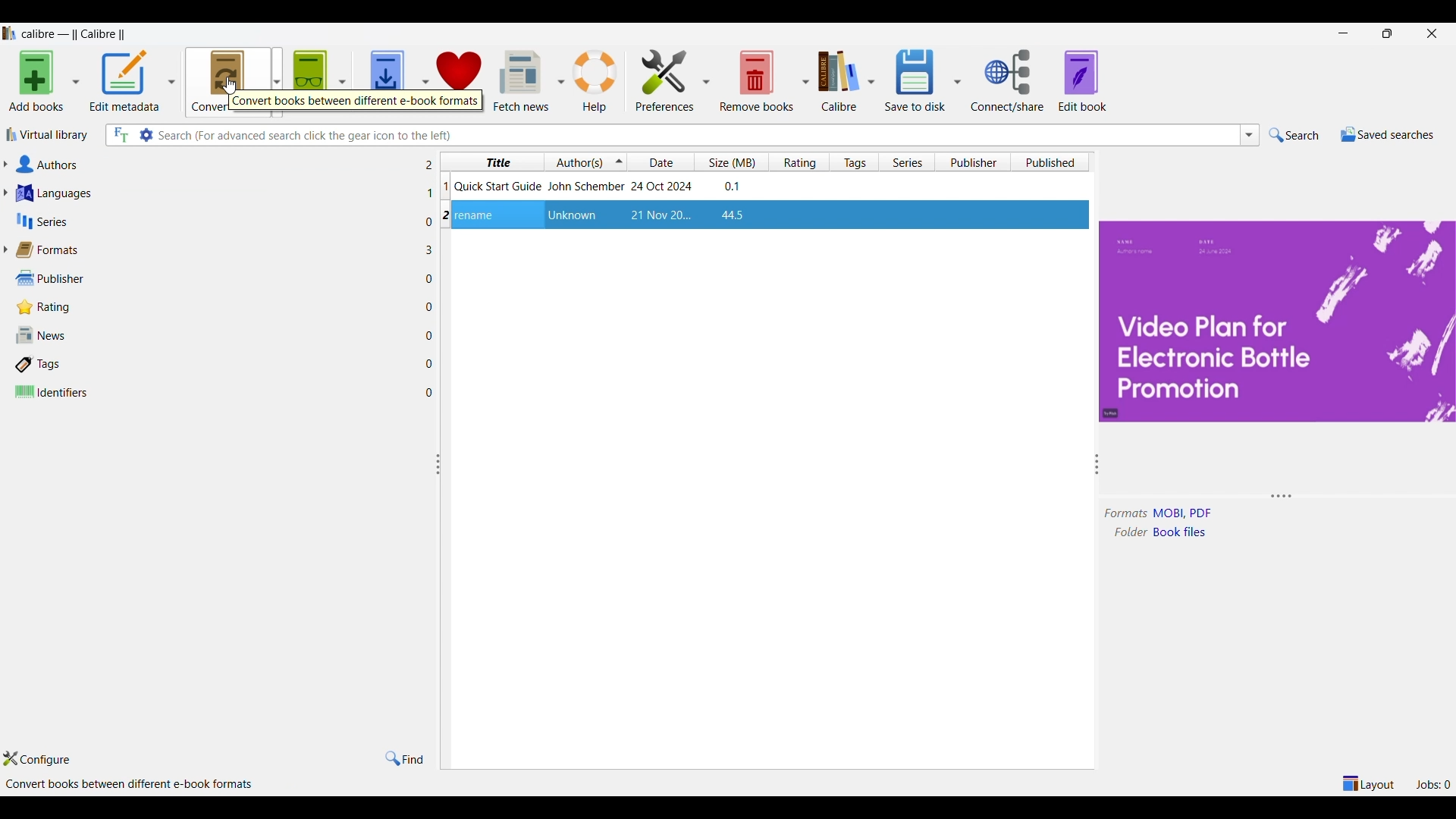 The height and width of the screenshot is (819, 1456). I want to click on Minimize, so click(1343, 33).